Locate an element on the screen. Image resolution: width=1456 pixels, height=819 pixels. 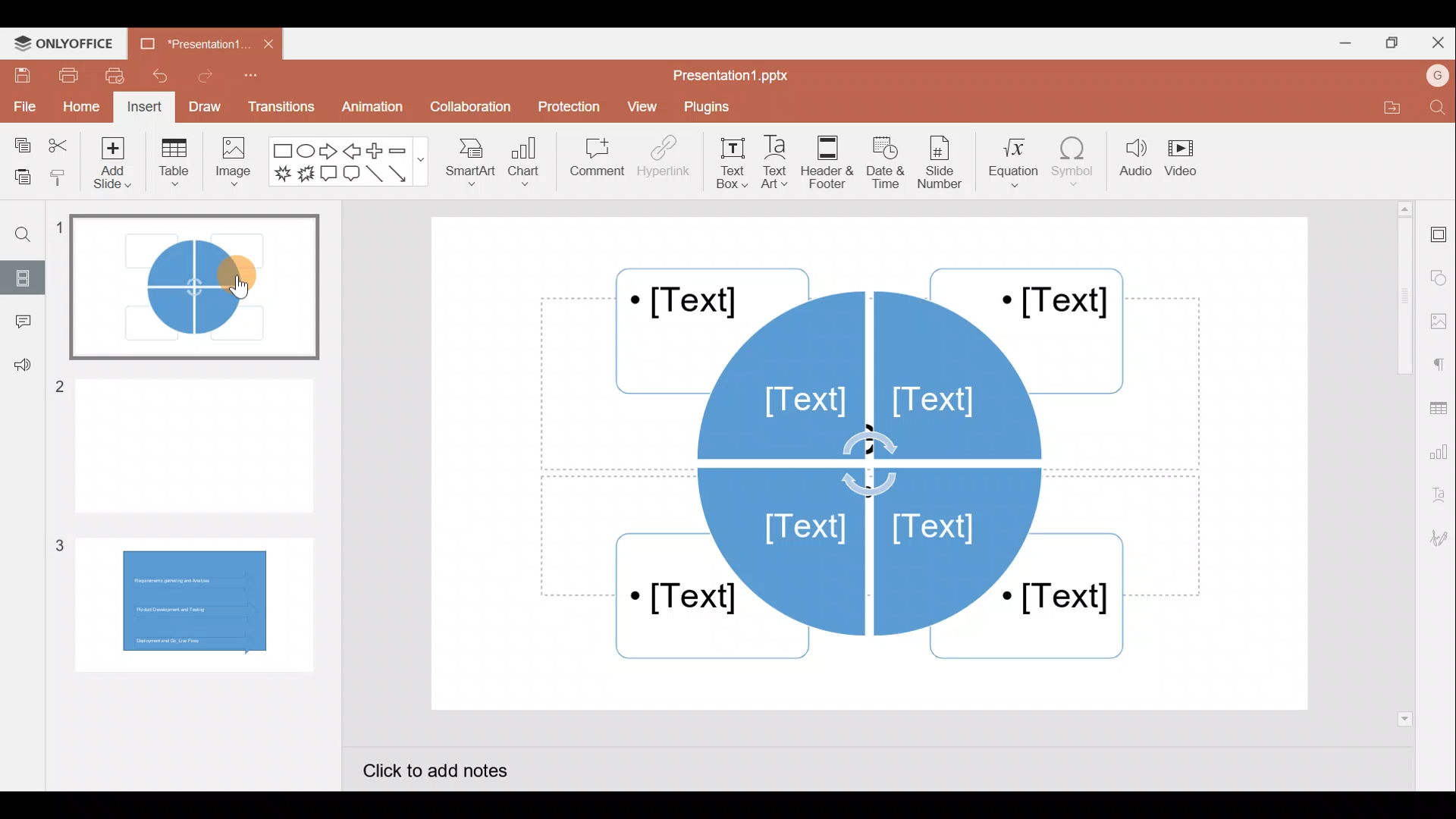
Slide settings is located at coordinates (1437, 236).